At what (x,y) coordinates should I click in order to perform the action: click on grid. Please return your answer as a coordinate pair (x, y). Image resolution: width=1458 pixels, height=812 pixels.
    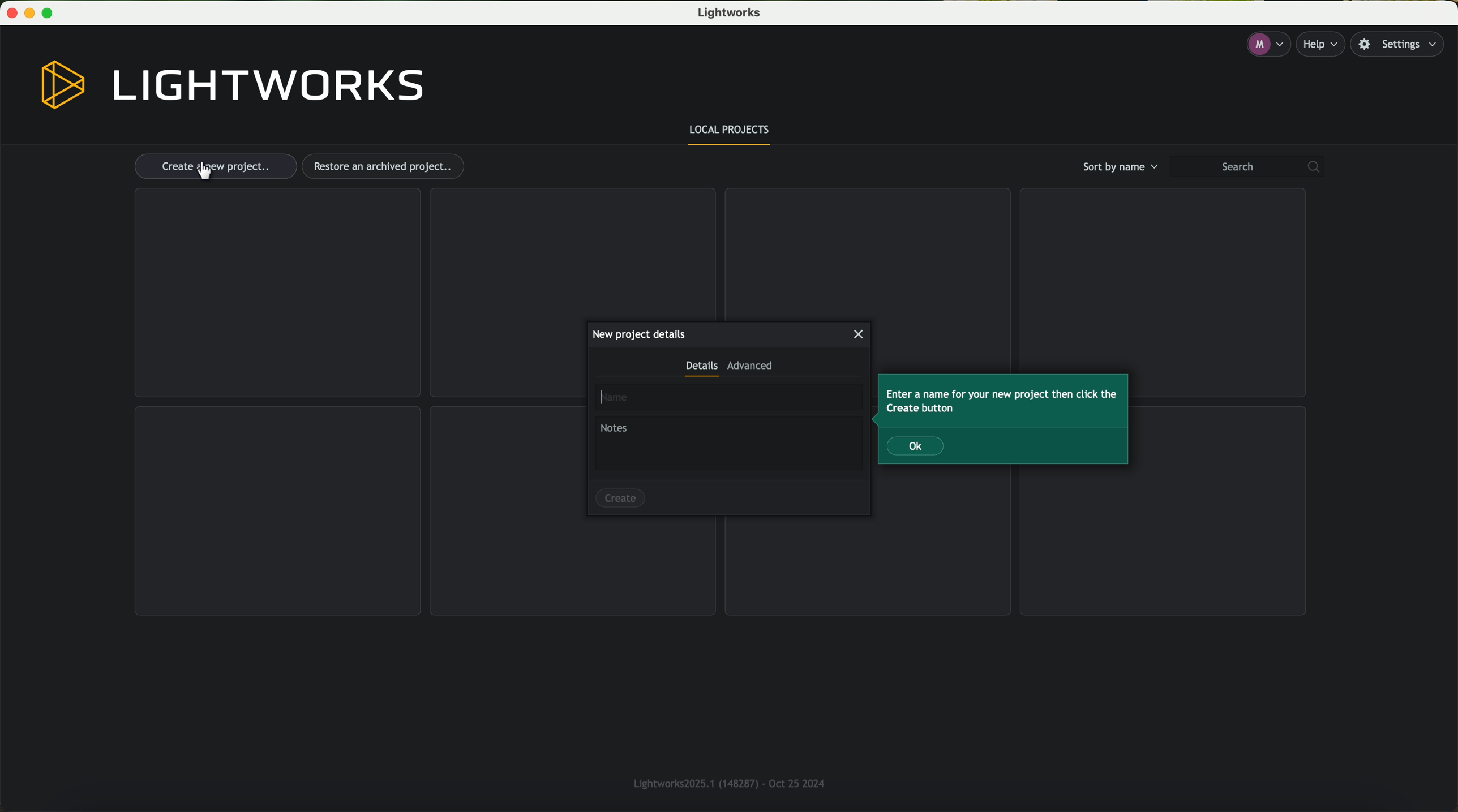
    Looking at the image, I should click on (571, 252).